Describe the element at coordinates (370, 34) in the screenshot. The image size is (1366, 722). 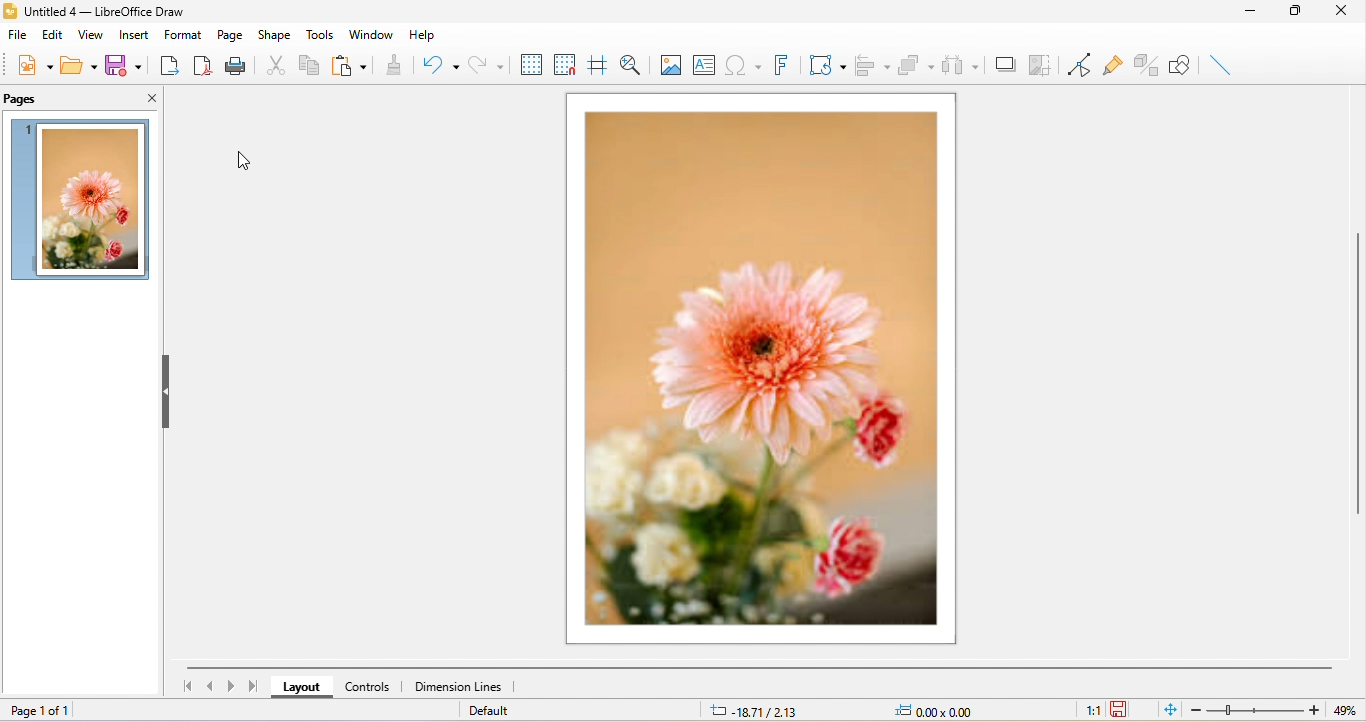
I see `window` at that location.